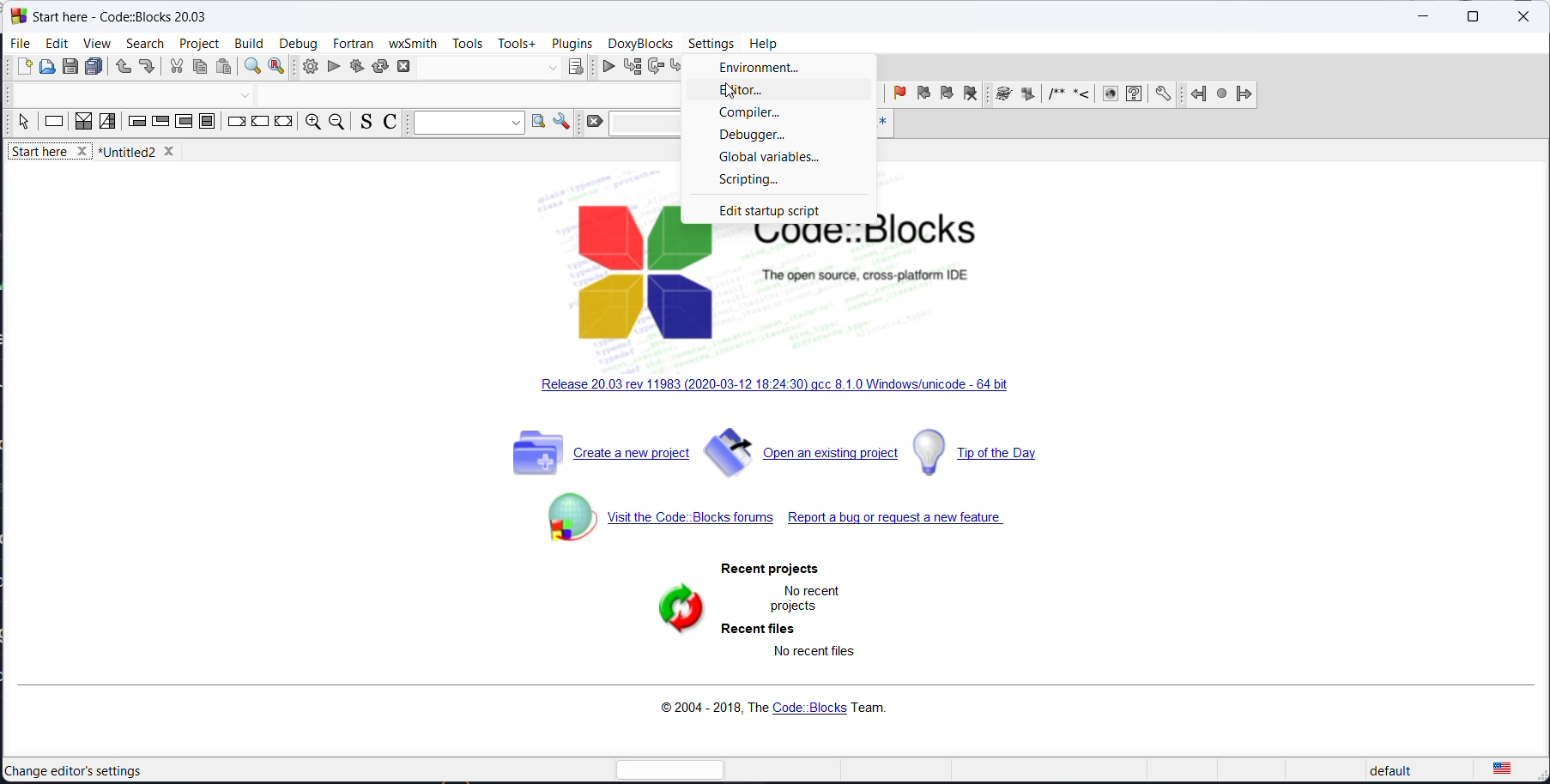  What do you see at coordinates (901, 522) in the screenshot?
I see `report bug` at bounding box center [901, 522].